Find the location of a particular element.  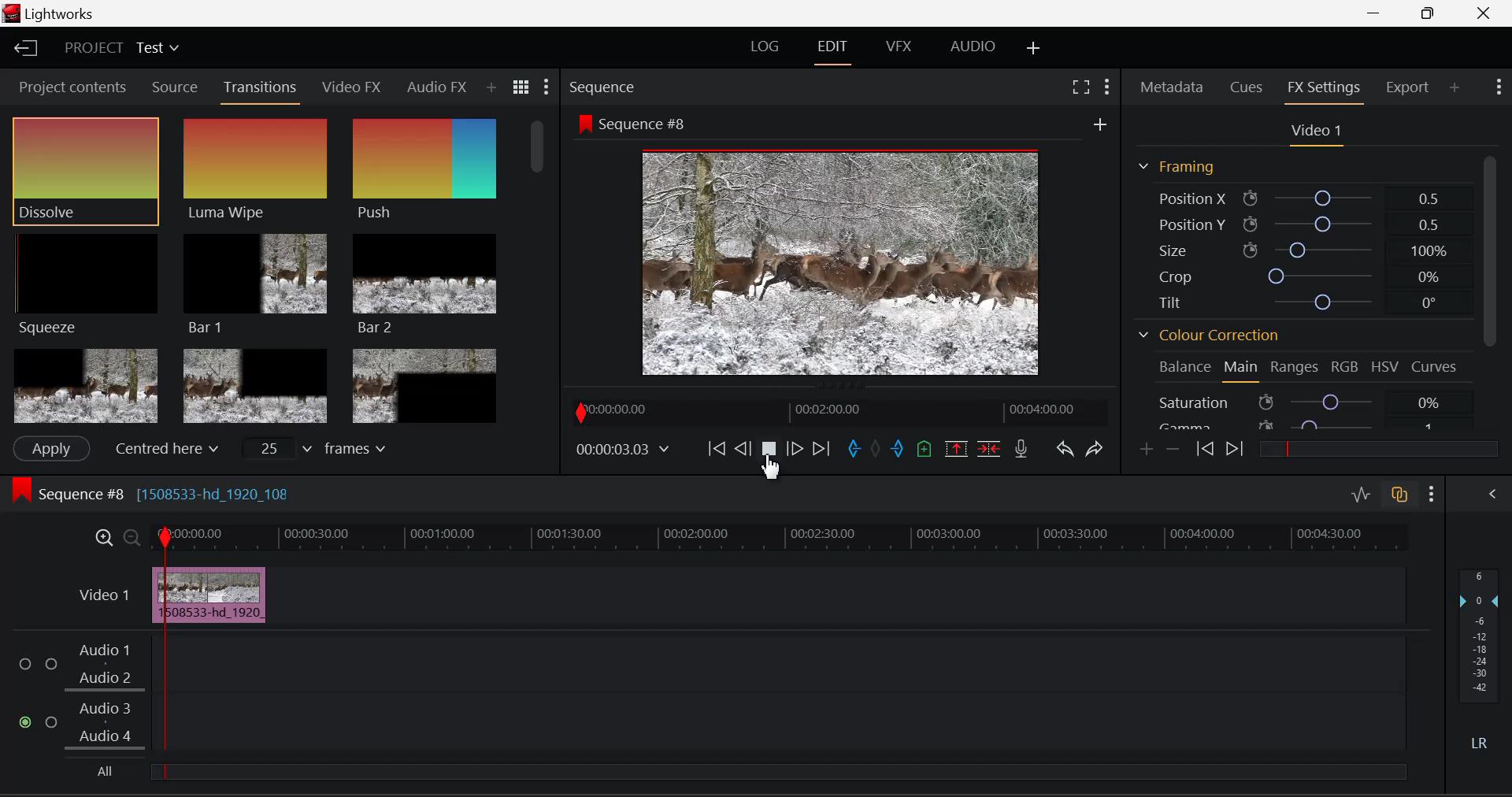

Apply is located at coordinates (52, 449).